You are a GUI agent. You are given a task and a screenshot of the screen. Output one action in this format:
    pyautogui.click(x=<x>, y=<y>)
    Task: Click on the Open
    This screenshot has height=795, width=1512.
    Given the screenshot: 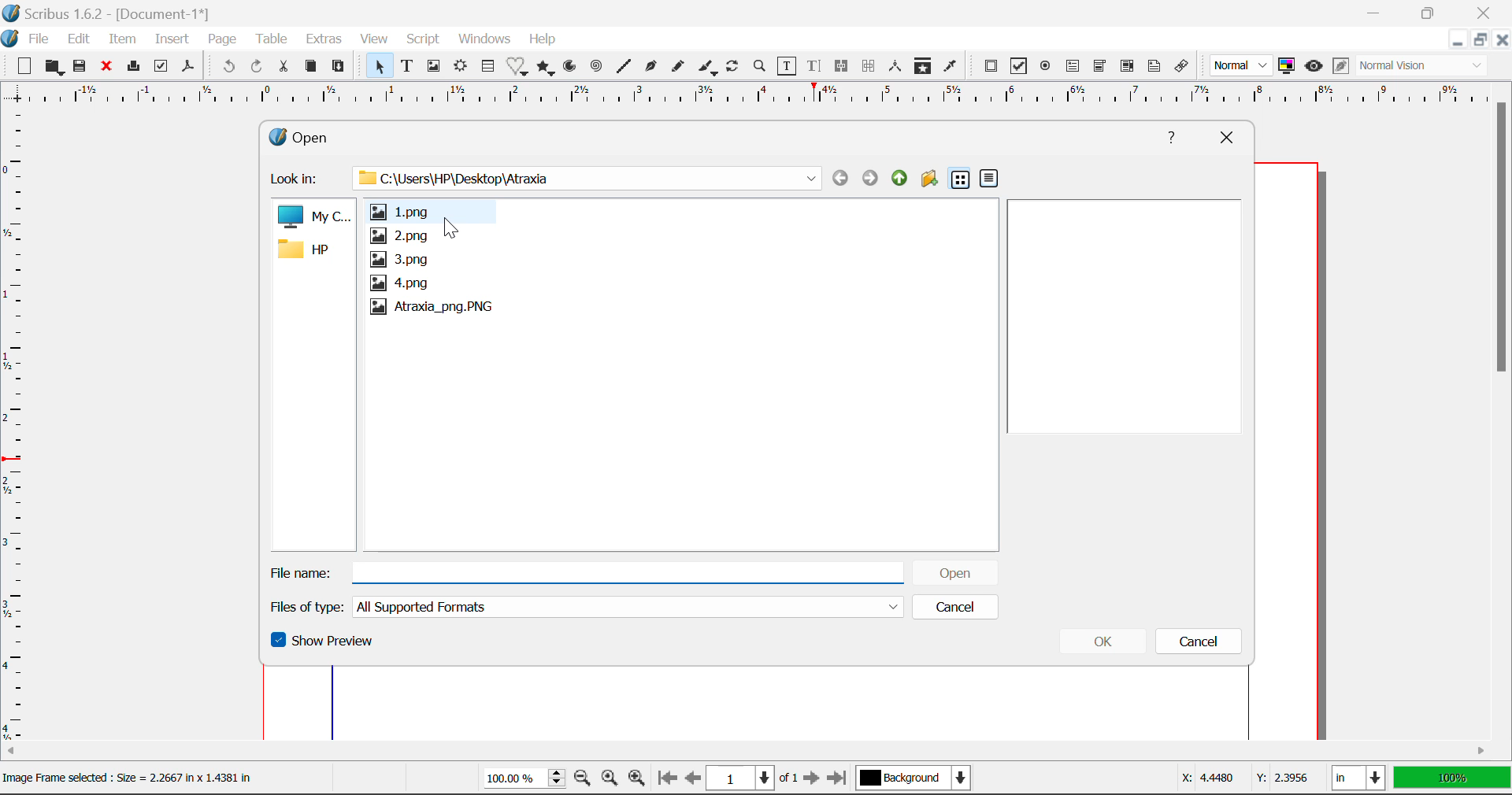 What is the action you would take?
    pyautogui.click(x=55, y=67)
    